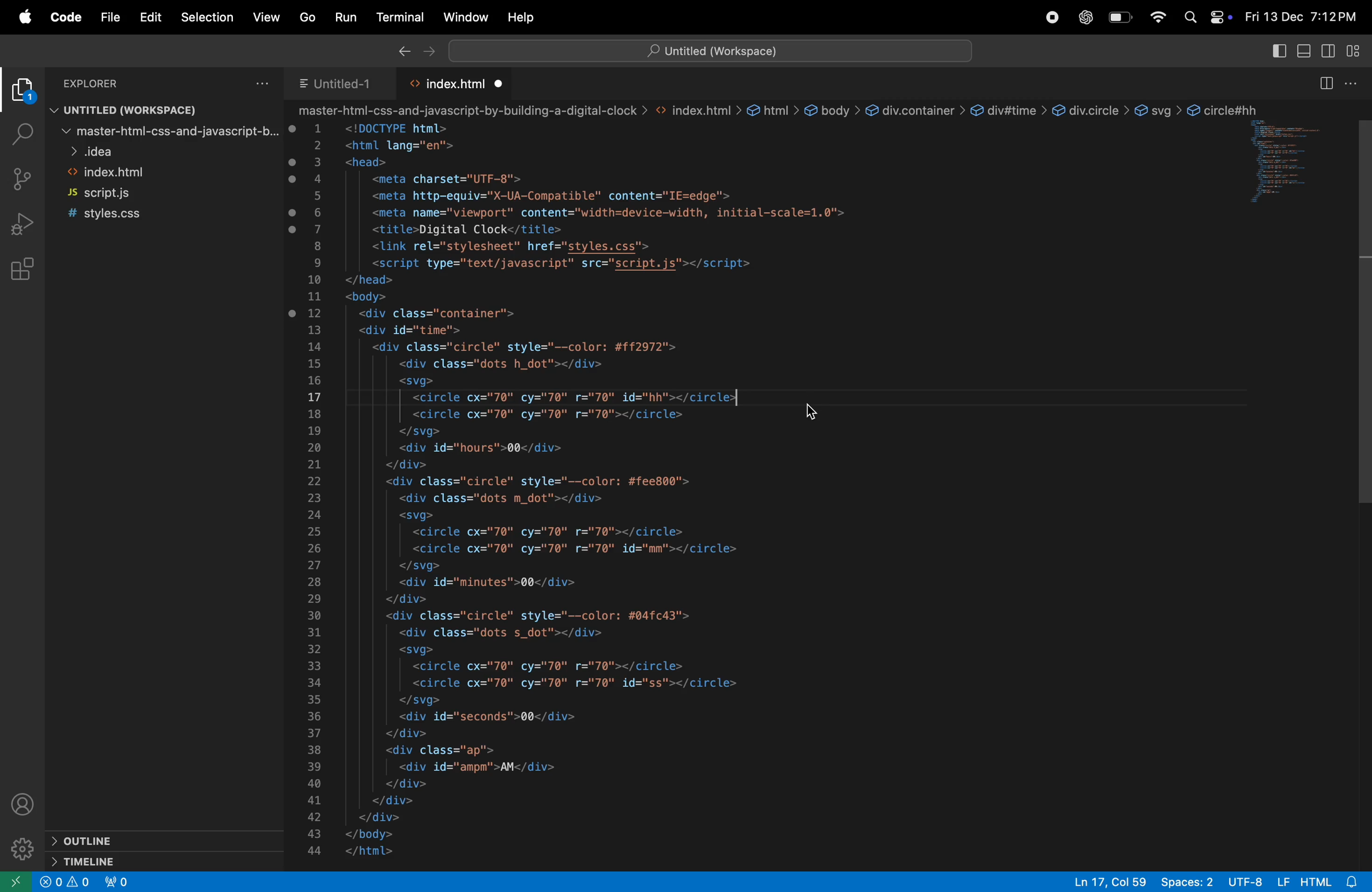 This screenshot has width=1372, height=892. I want to click on toggle secondary side bar, so click(1330, 52).